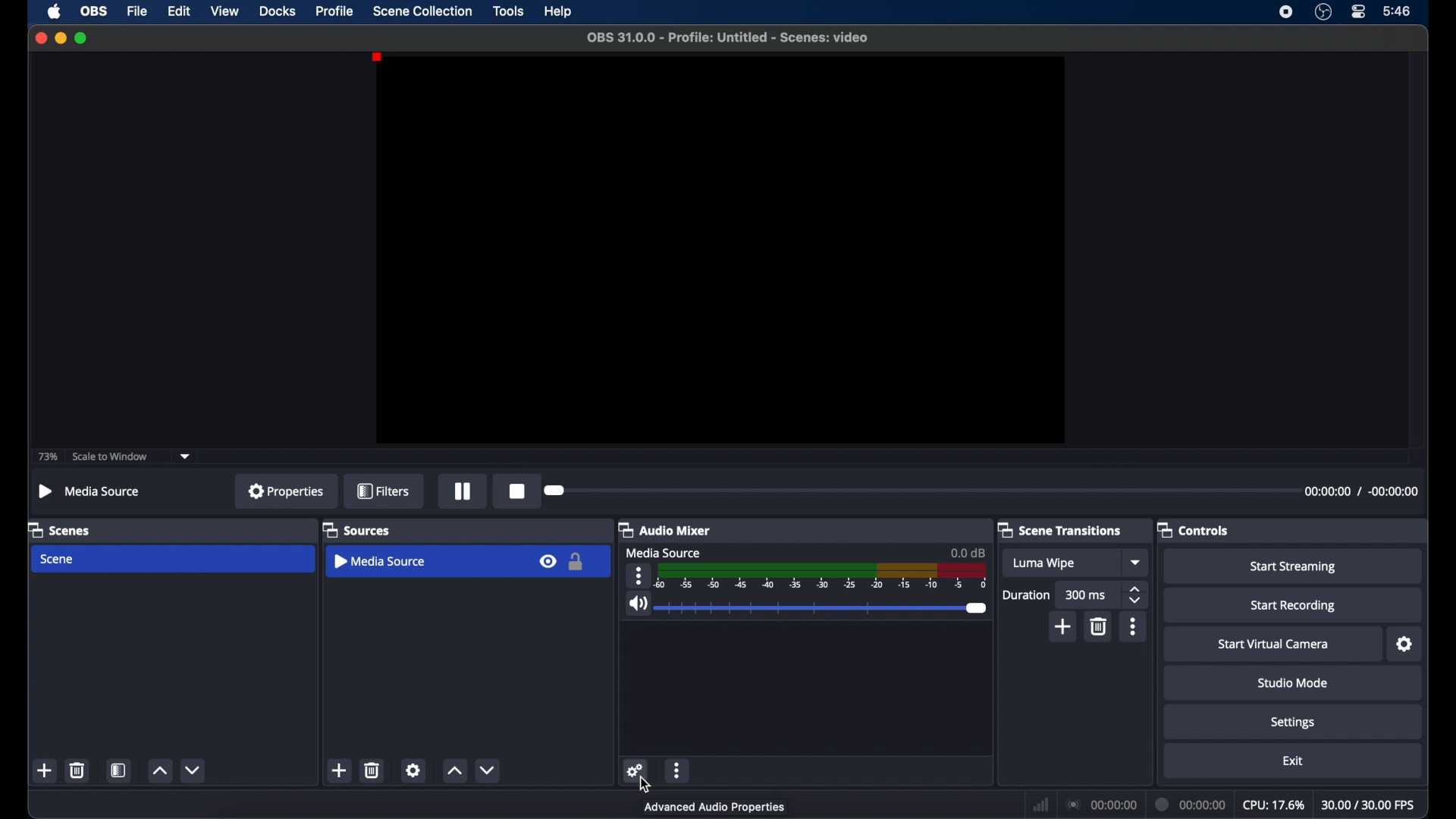 The height and width of the screenshot is (819, 1456). I want to click on help, so click(560, 11).